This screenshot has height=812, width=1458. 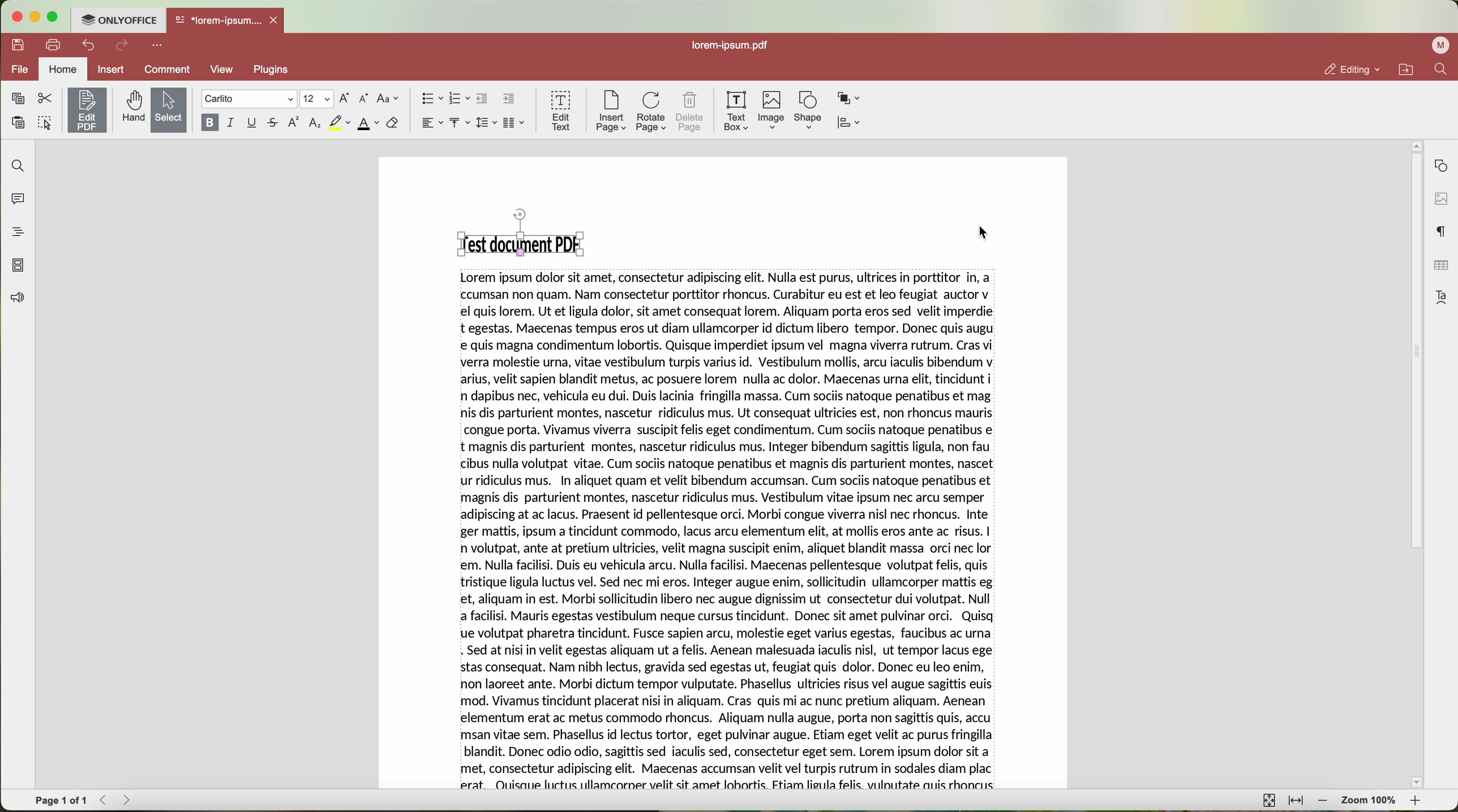 I want to click on line spacing, so click(x=488, y=122).